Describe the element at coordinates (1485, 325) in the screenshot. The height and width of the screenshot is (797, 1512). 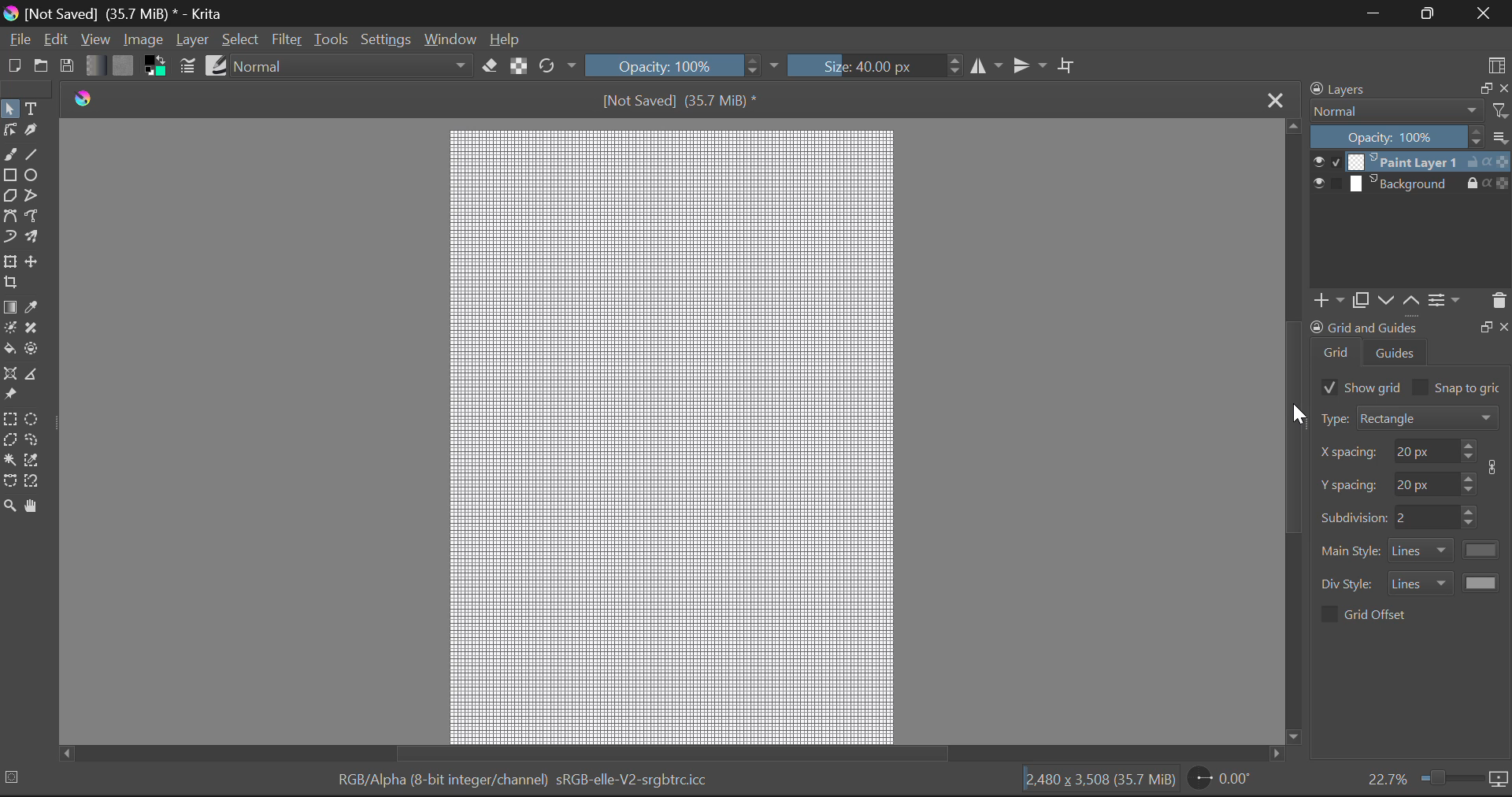
I see `` at that location.